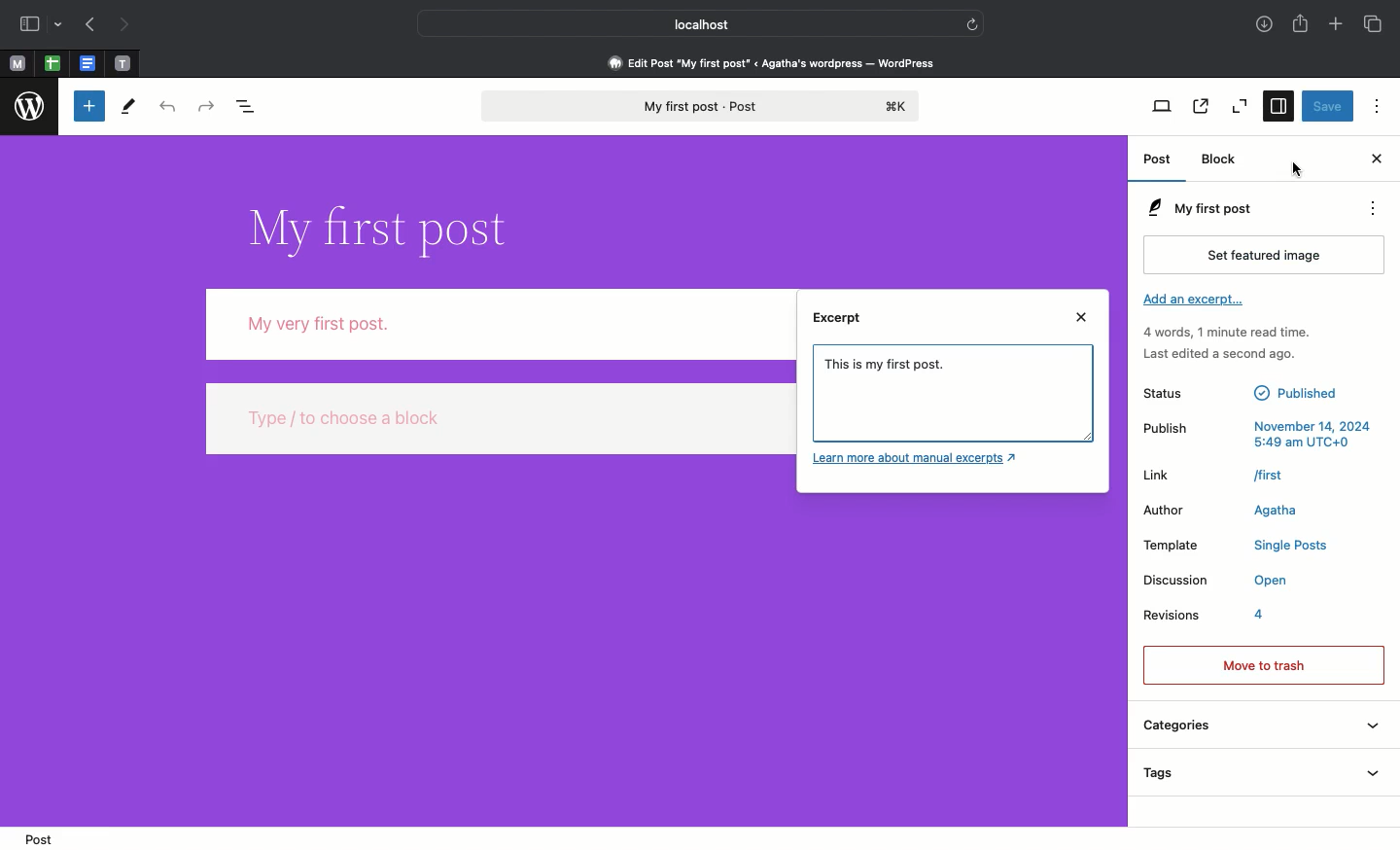 The image size is (1400, 850). I want to click on My first post, so click(697, 107).